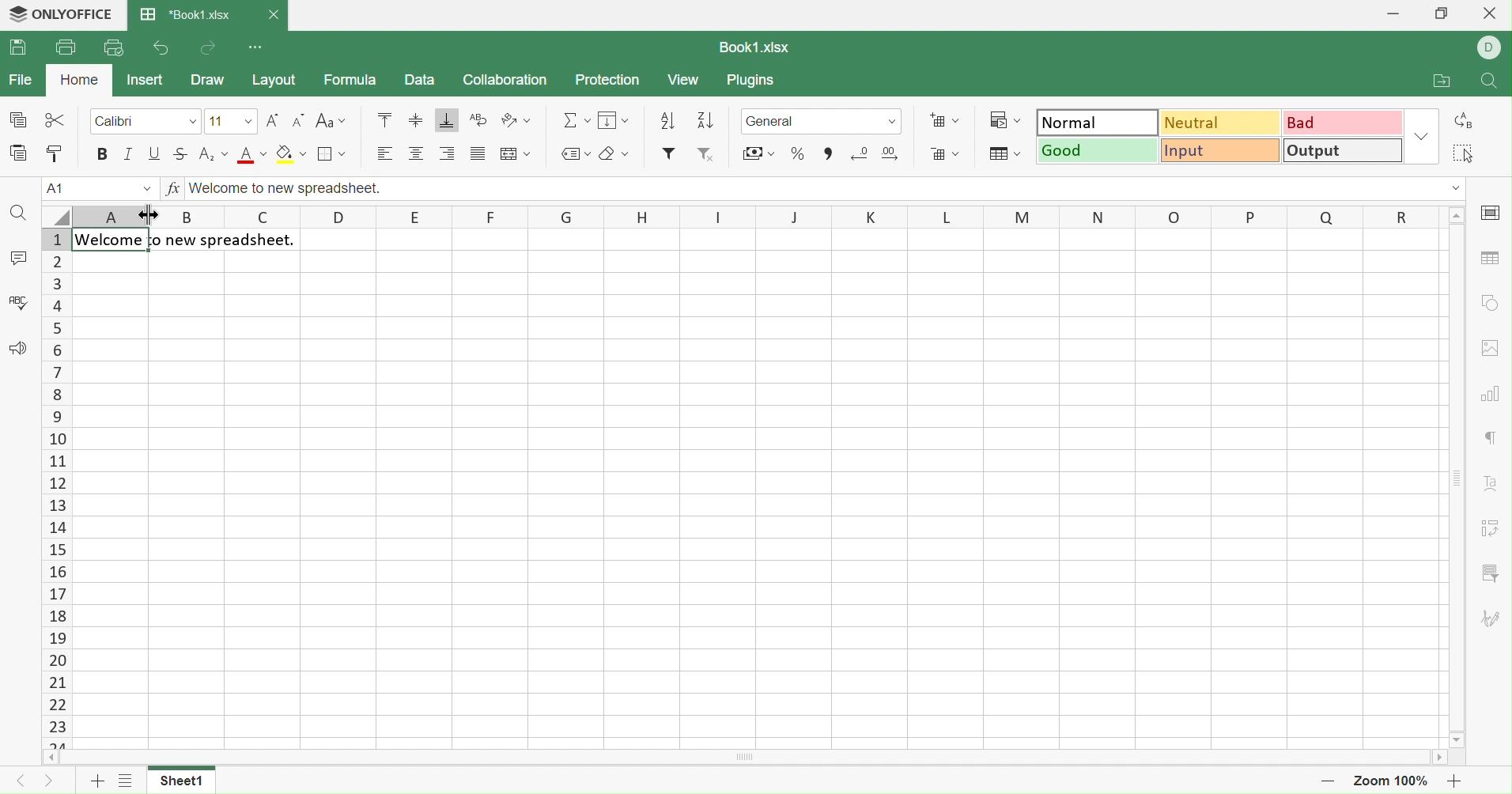 This screenshot has height=794, width=1512. I want to click on Save, so click(19, 49).